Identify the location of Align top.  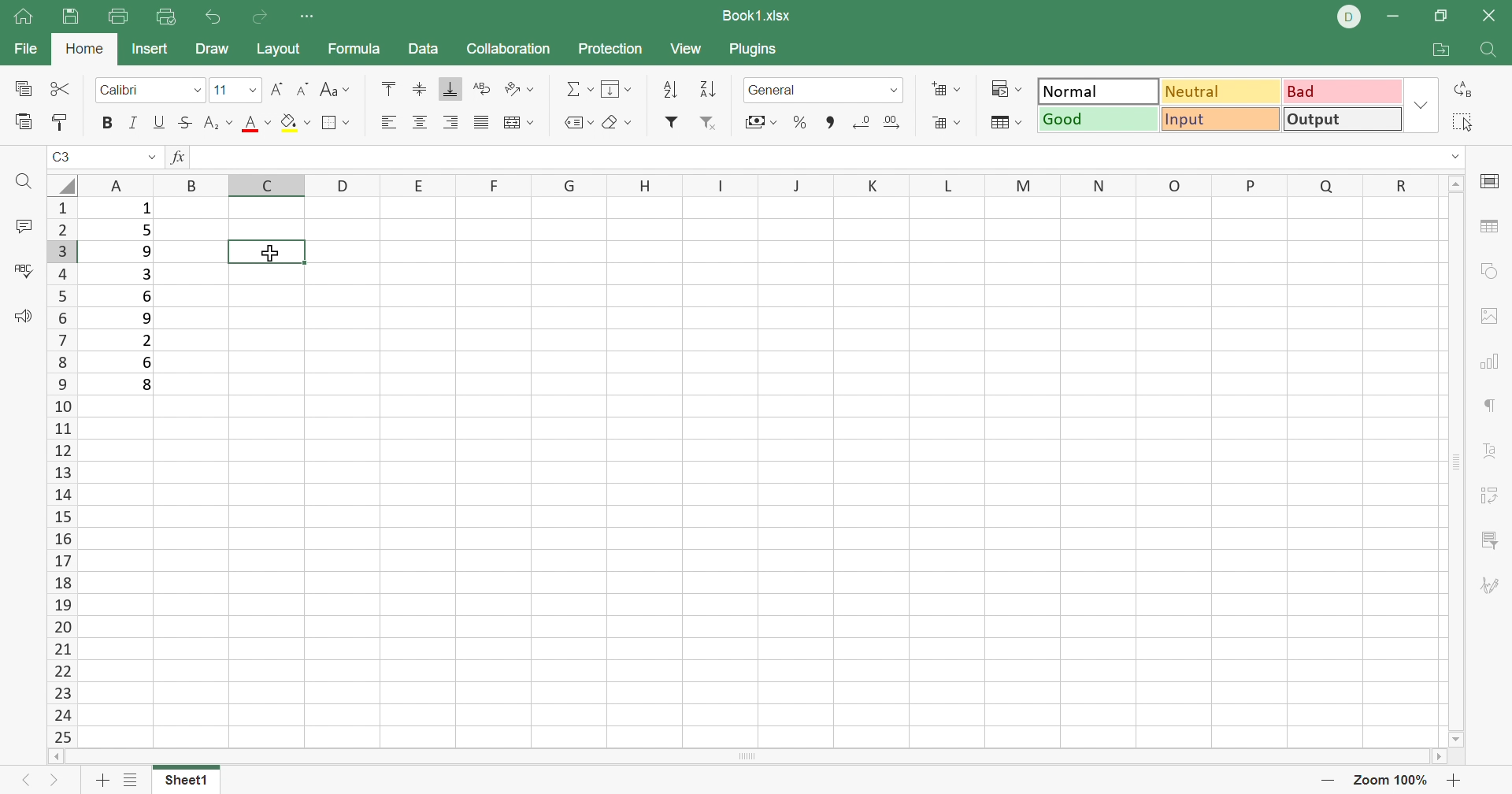
(255, 124).